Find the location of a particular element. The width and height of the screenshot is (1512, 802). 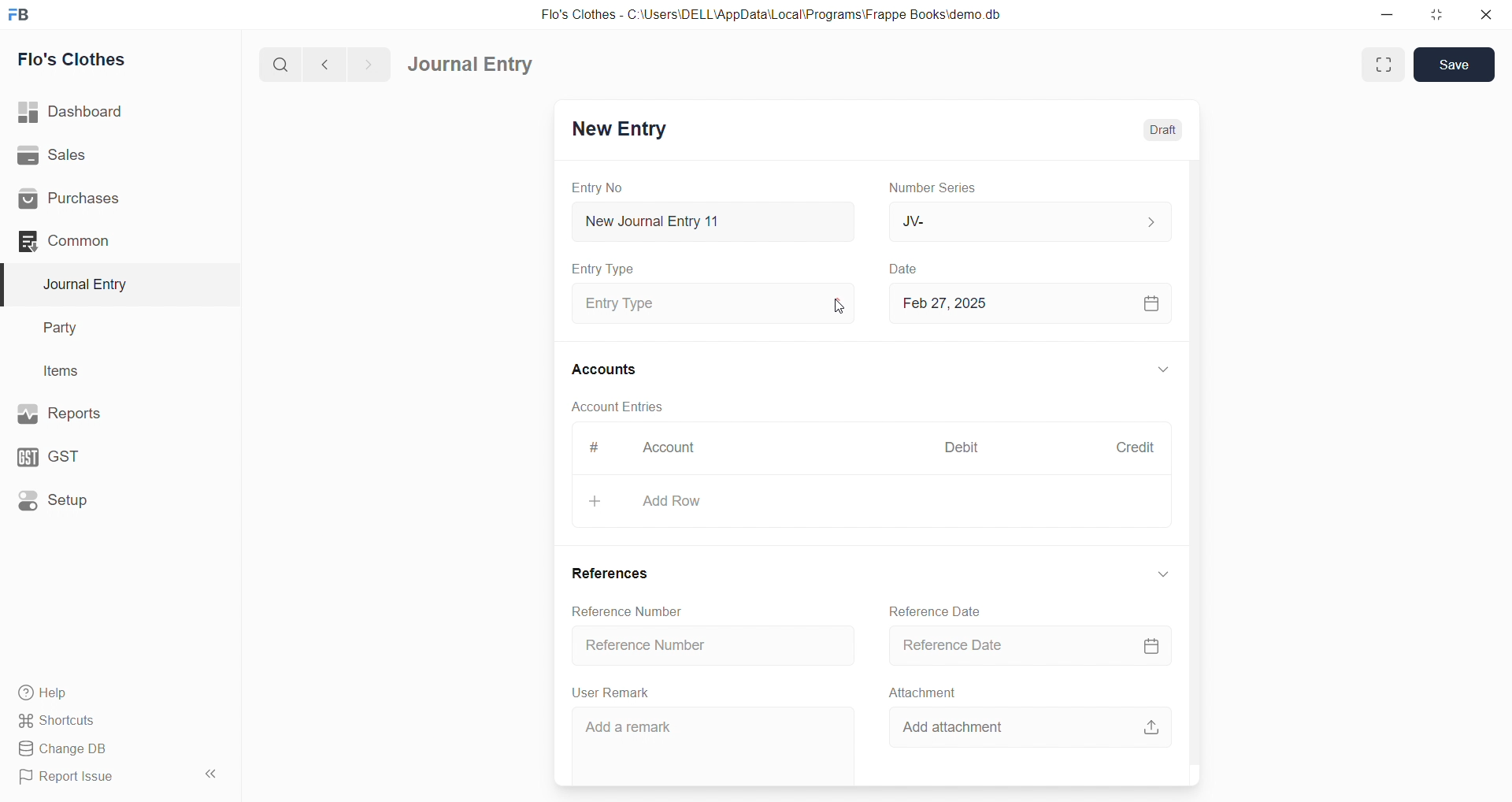

+ Add Row is located at coordinates (873, 499).